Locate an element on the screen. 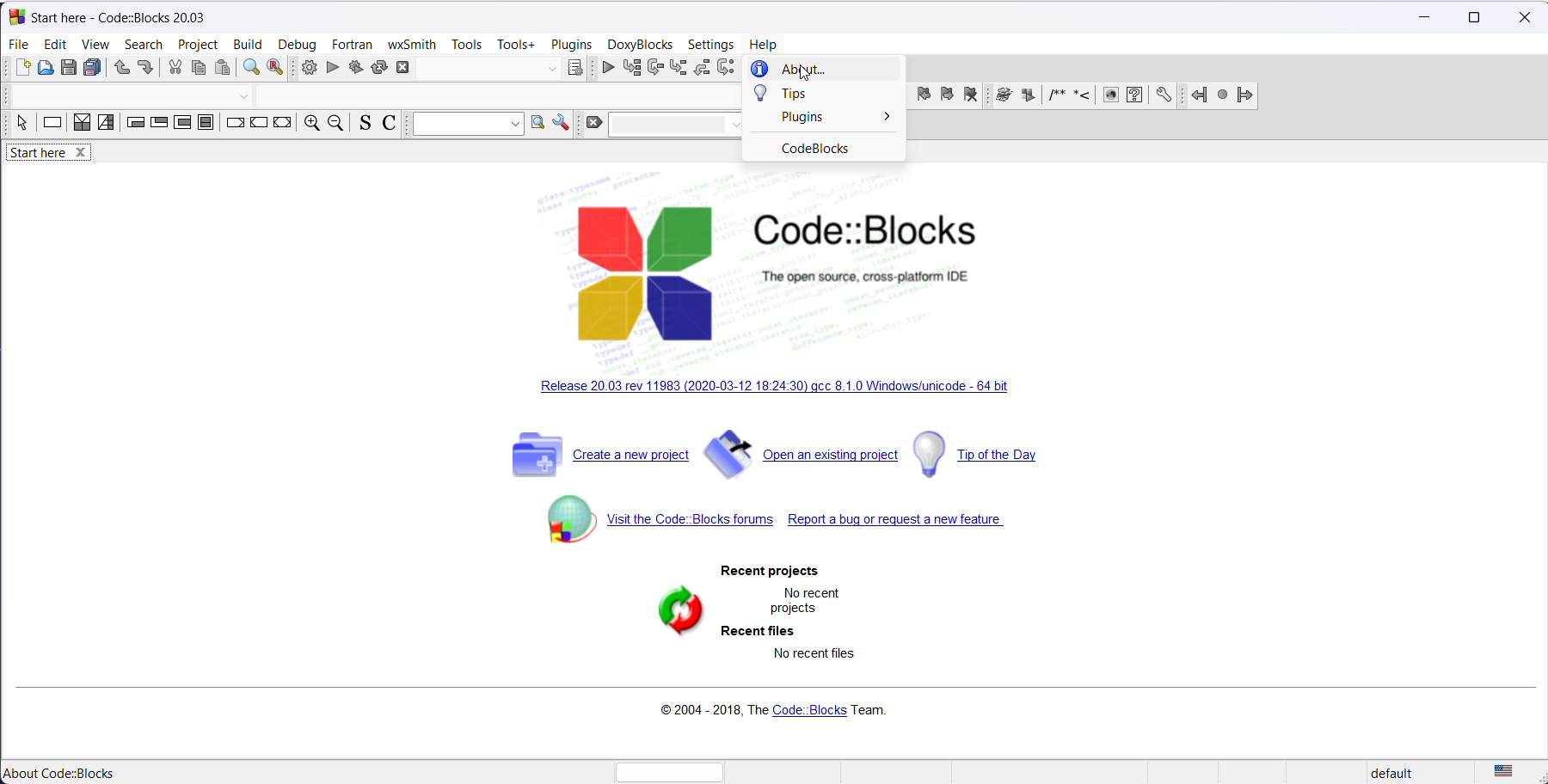 The width and height of the screenshot is (1548, 784). project is located at coordinates (199, 44).